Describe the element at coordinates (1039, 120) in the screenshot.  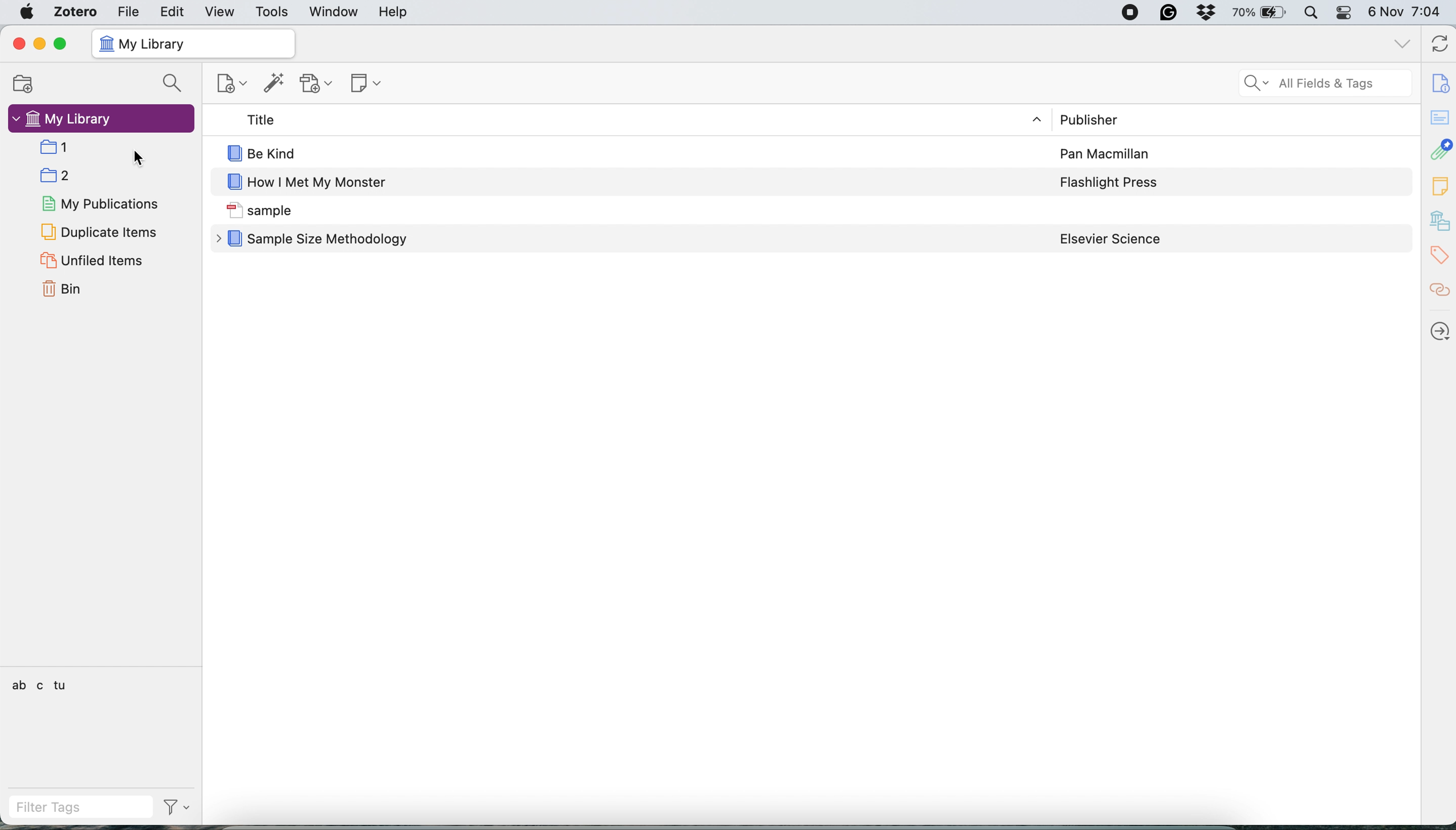
I see `expand/ collapse ` at that location.